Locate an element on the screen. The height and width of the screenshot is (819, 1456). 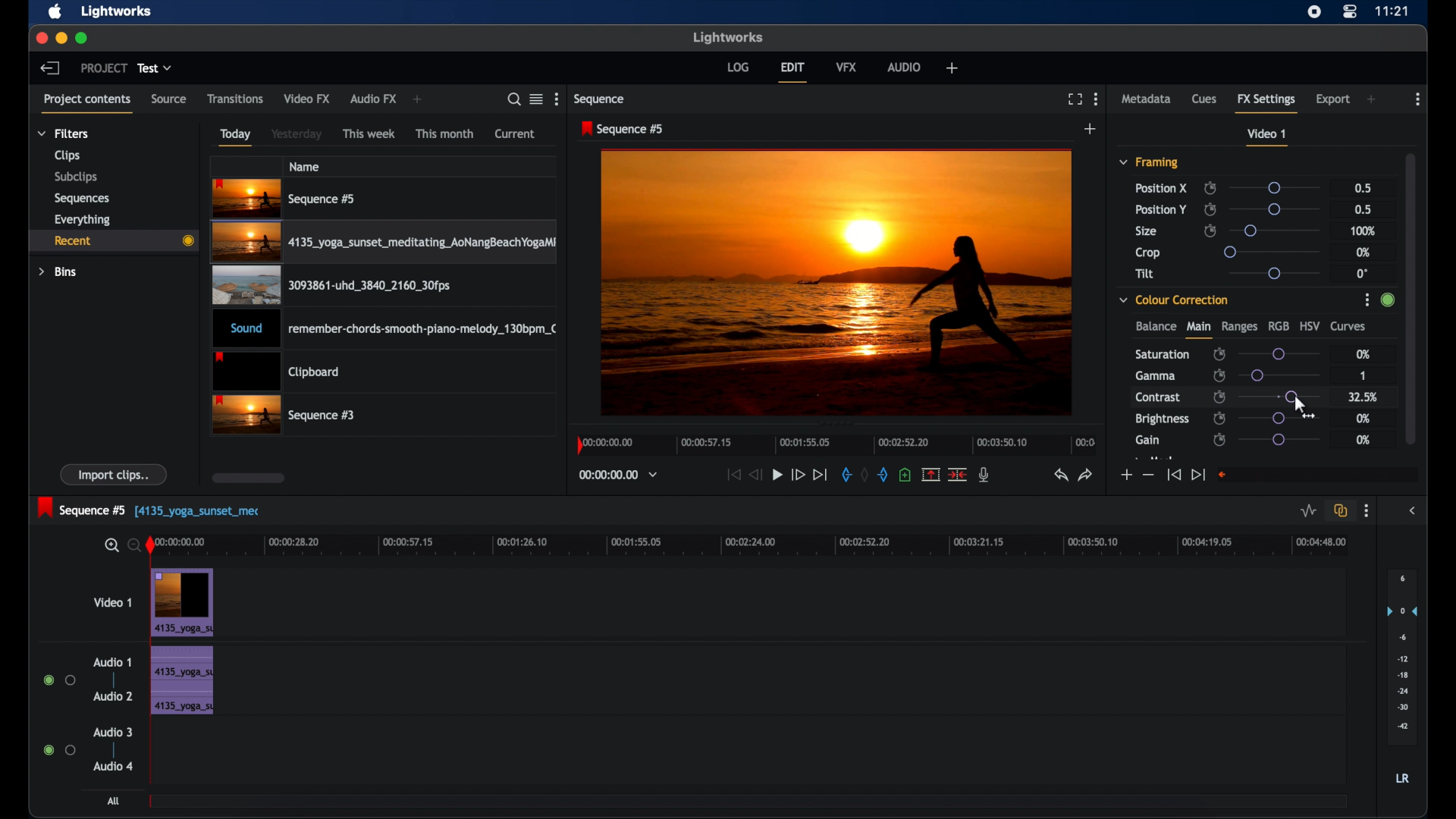
test dropdown is located at coordinates (155, 67).